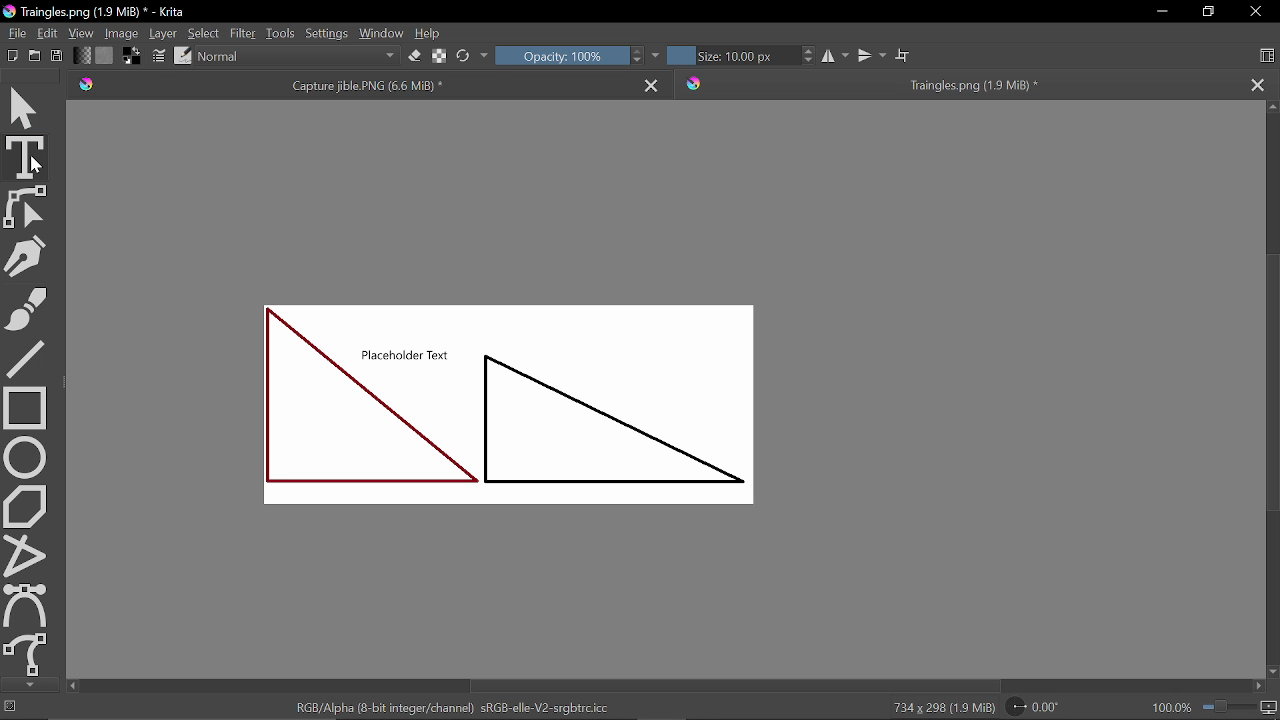 The height and width of the screenshot is (720, 1280). I want to click on Vertical scrollbar, so click(1270, 384).